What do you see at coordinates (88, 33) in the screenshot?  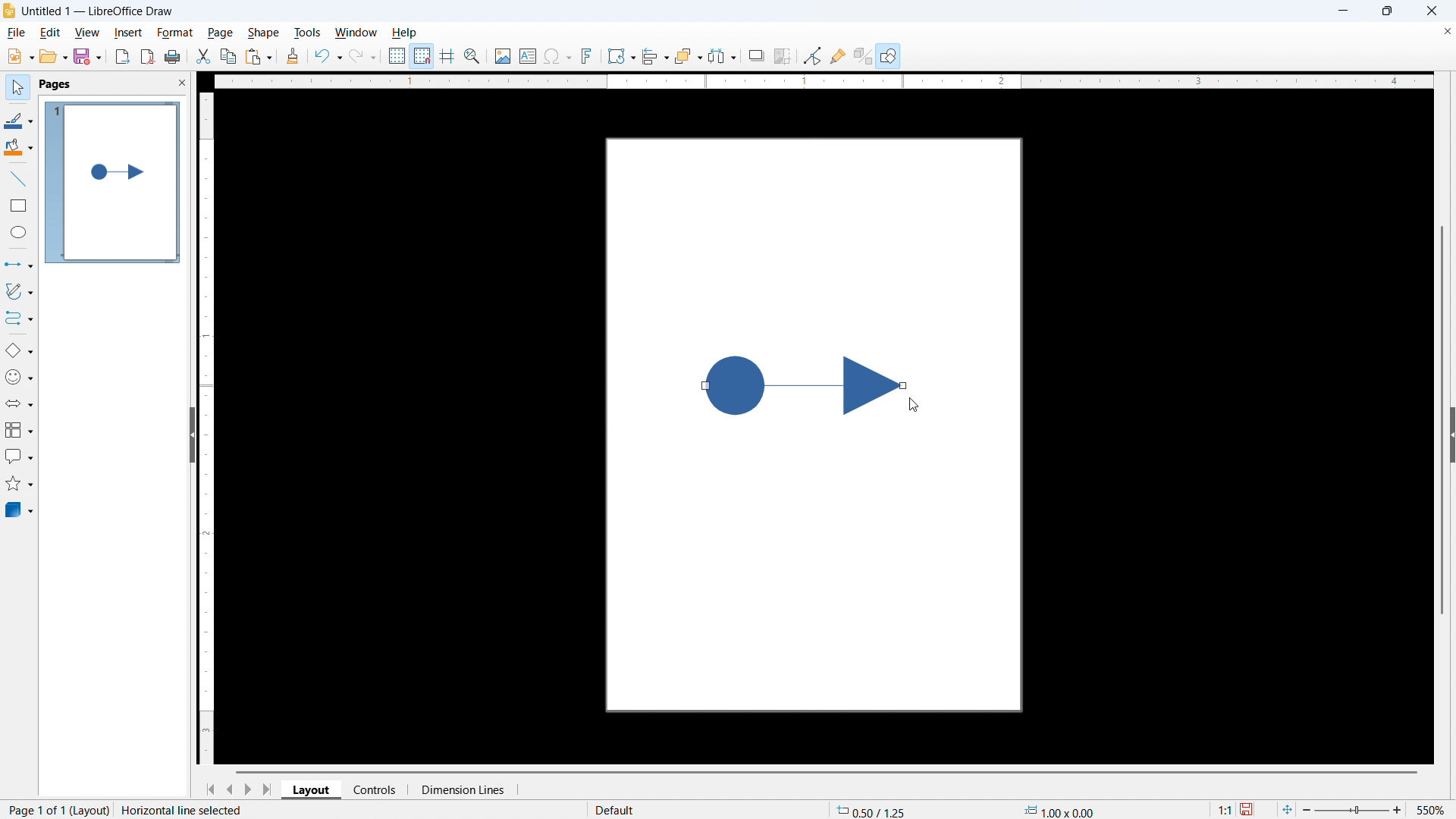 I see `View ` at bounding box center [88, 33].